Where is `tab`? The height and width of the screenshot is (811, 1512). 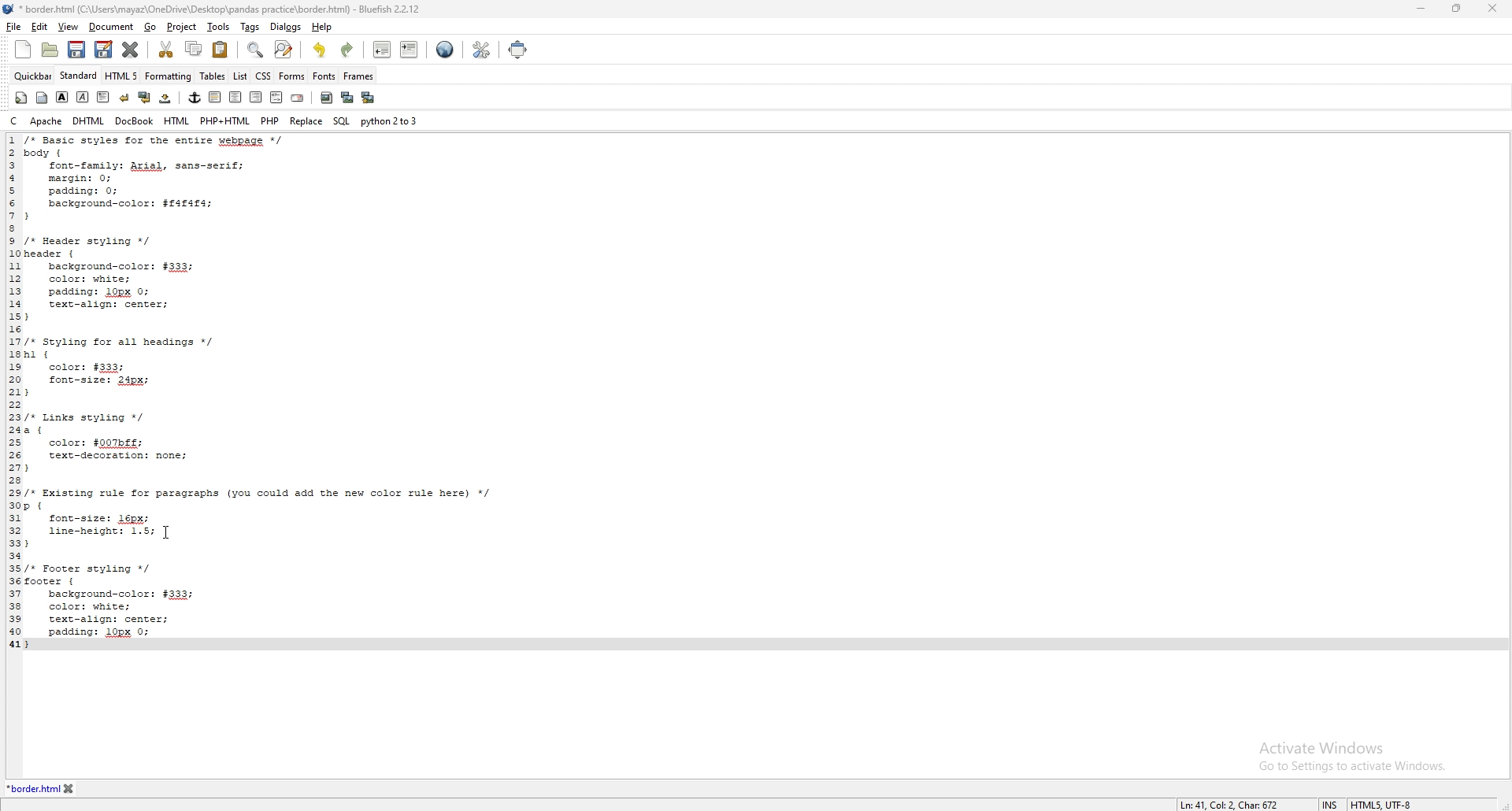
tab is located at coordinates (31, 787).